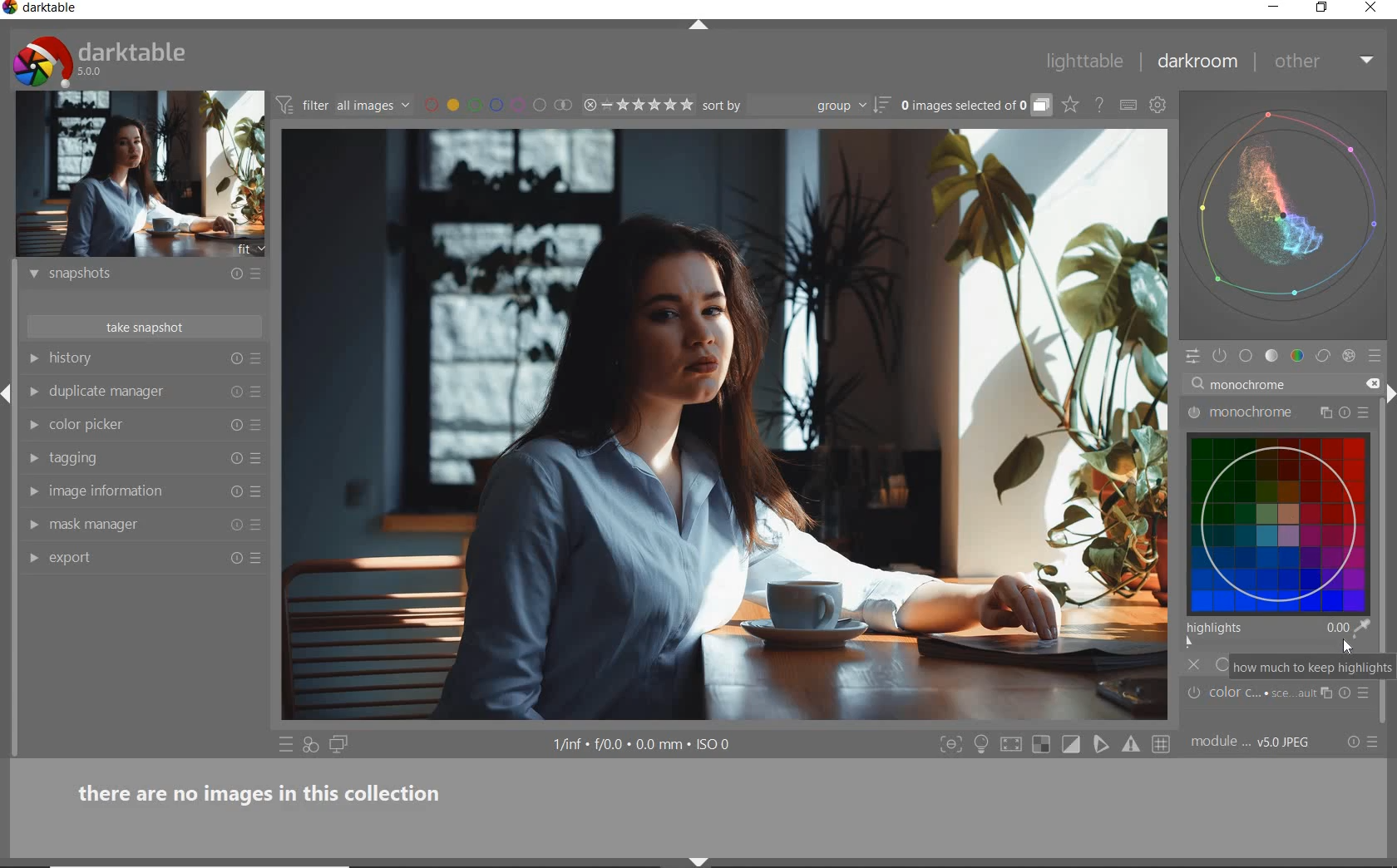 This screenshot has height=868, width=1397. Describe the element at coordinates (1362, 384) in the screenshot. I see `close` at that location.